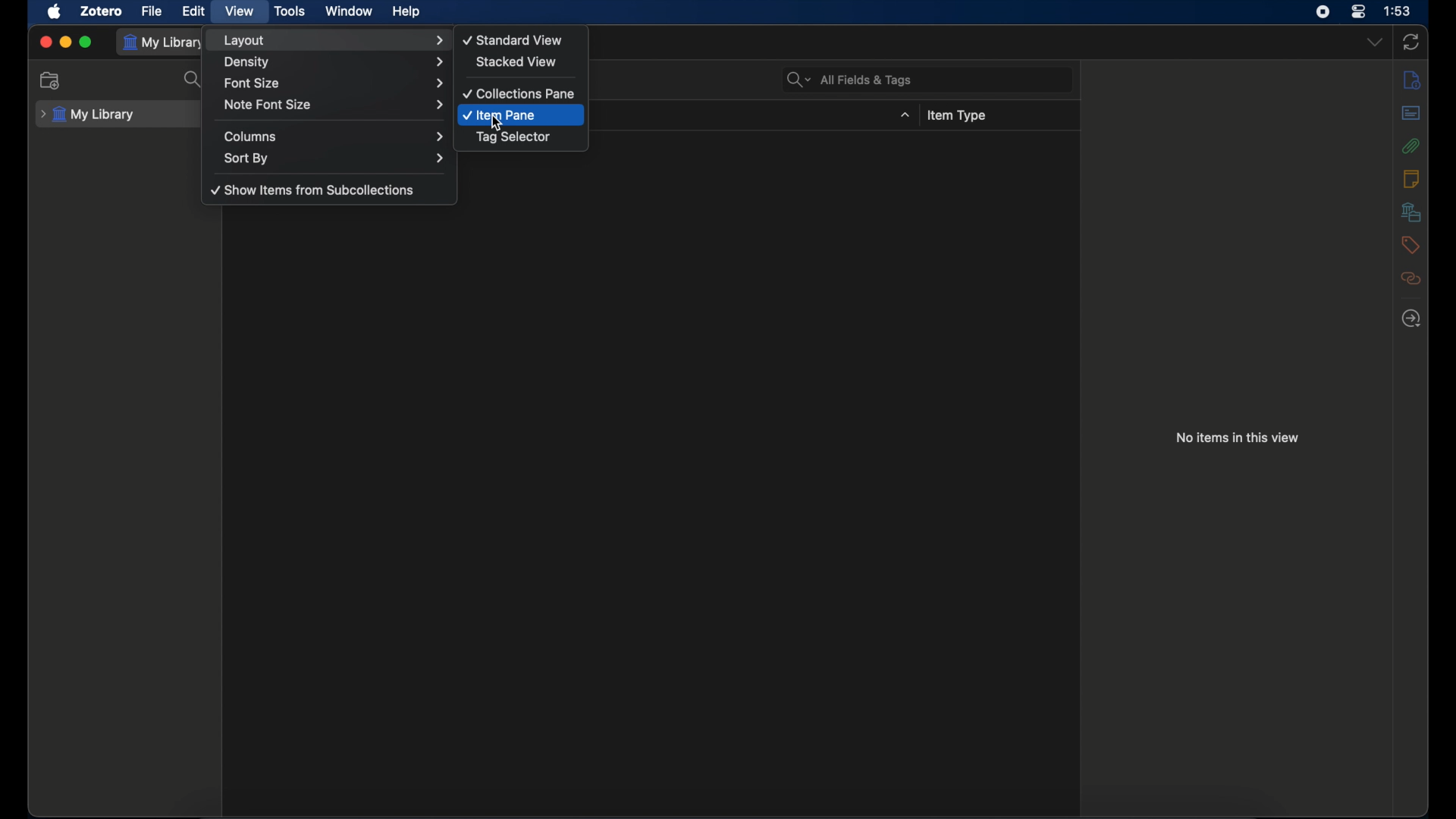 The height and width of the screenshot is (819, 1456). Describe the element at coordinates (905, 115) in the screenshot. I see `dropdown` at that location.